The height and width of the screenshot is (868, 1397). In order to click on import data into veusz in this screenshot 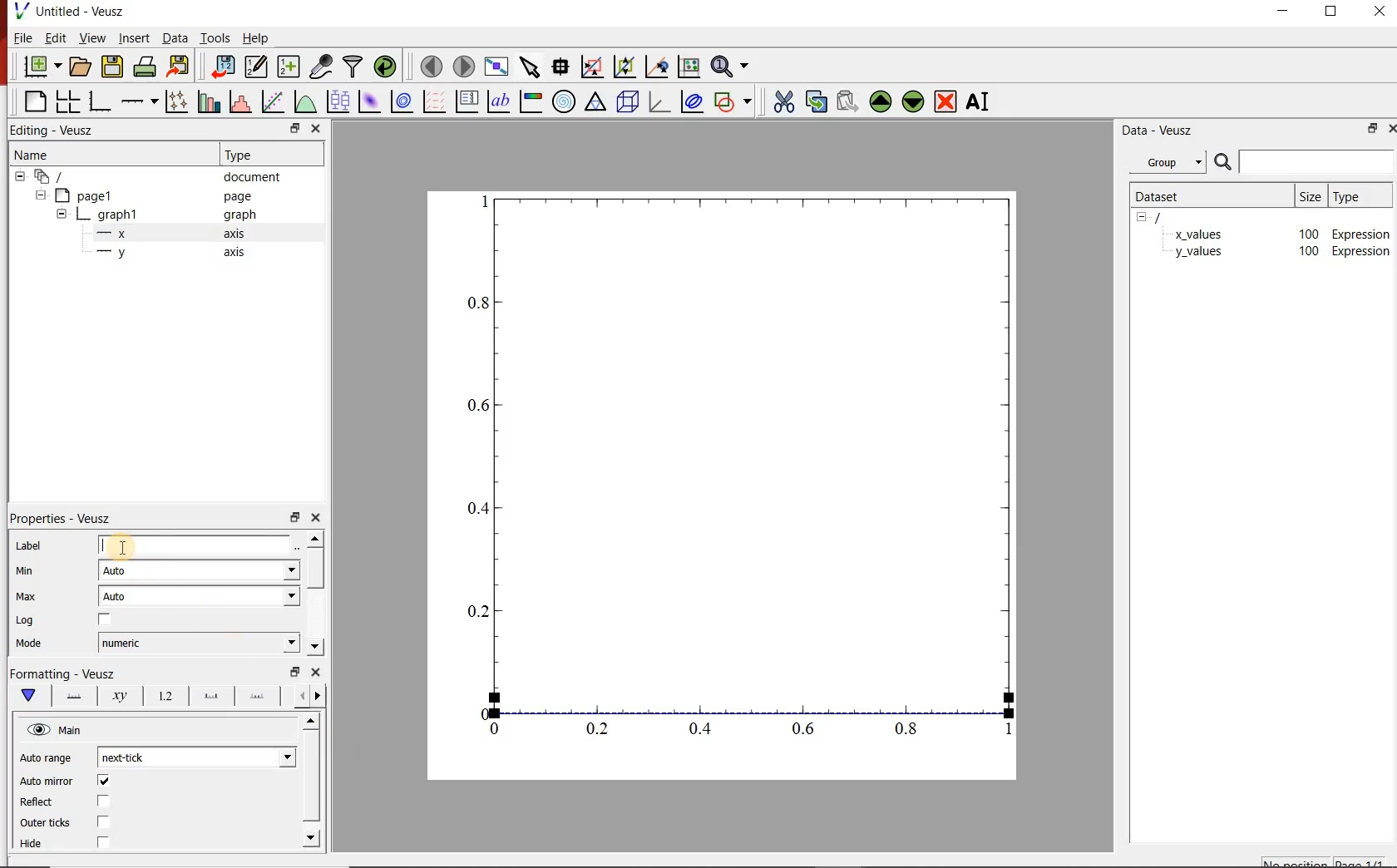, I will do `click(223, 67)`.